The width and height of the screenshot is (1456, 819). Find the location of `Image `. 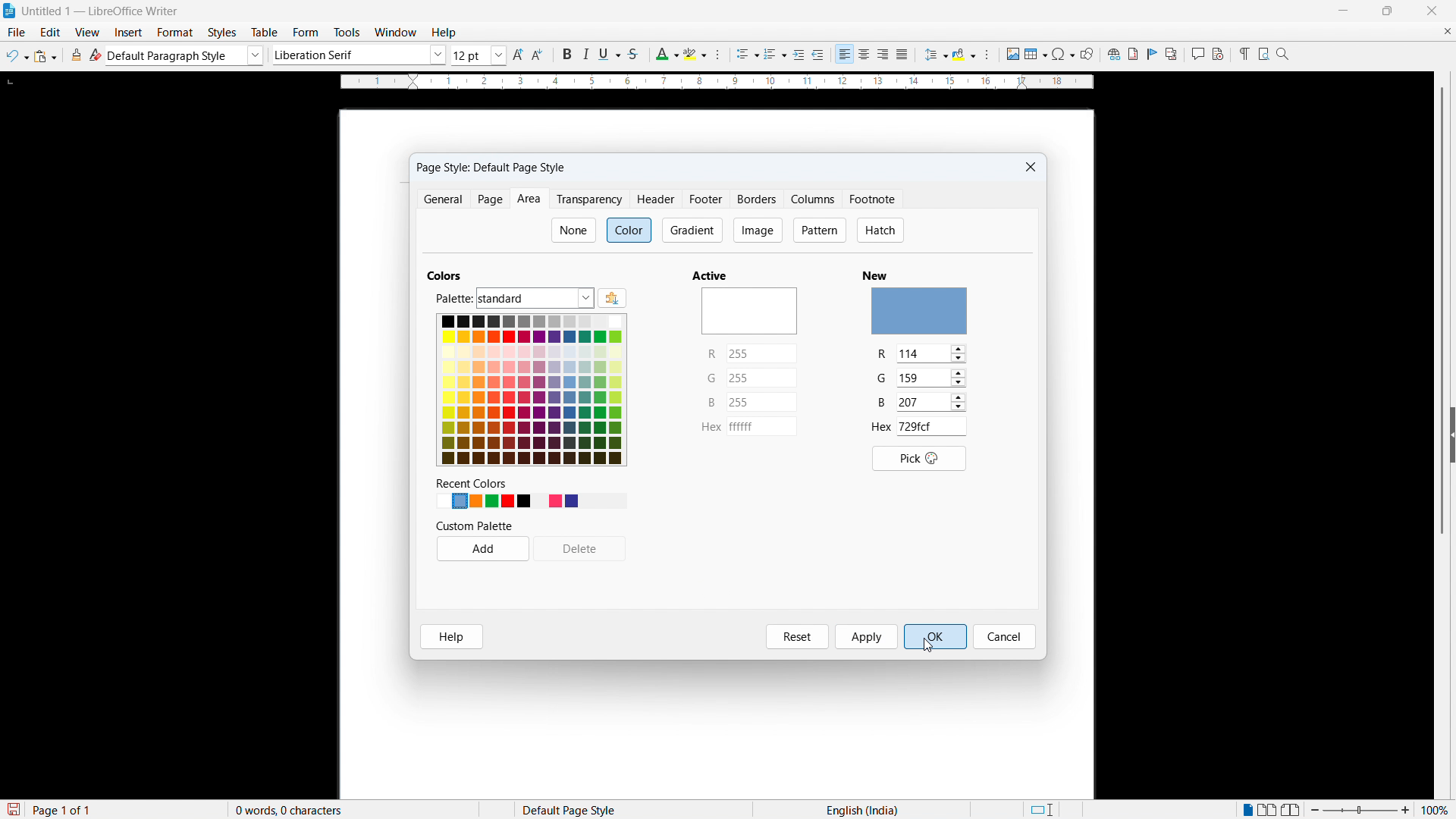

Image  is located at coordinates (759, 231).